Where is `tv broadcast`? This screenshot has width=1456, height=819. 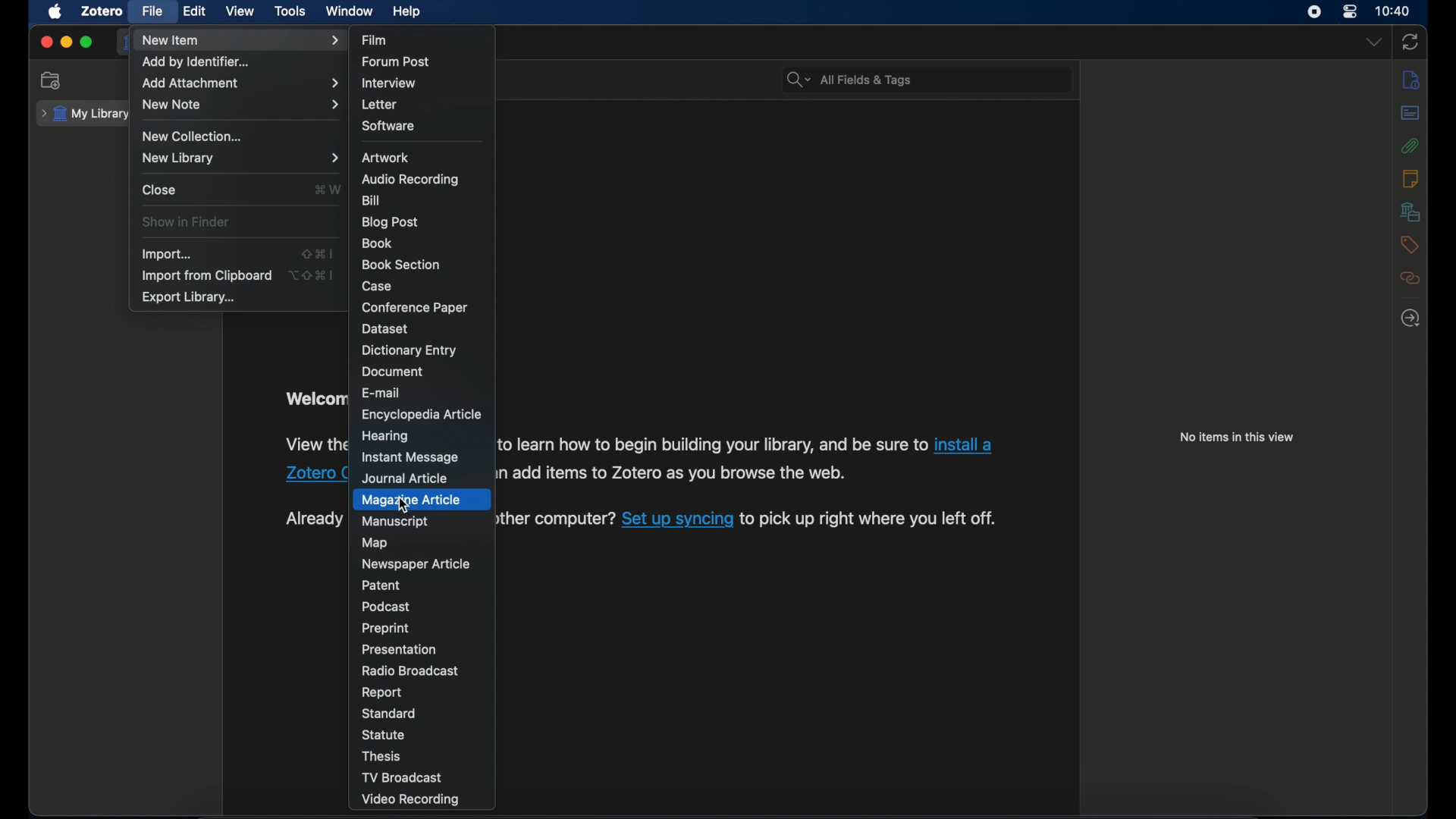
tv broadcast is located at coordinates (401, 778).